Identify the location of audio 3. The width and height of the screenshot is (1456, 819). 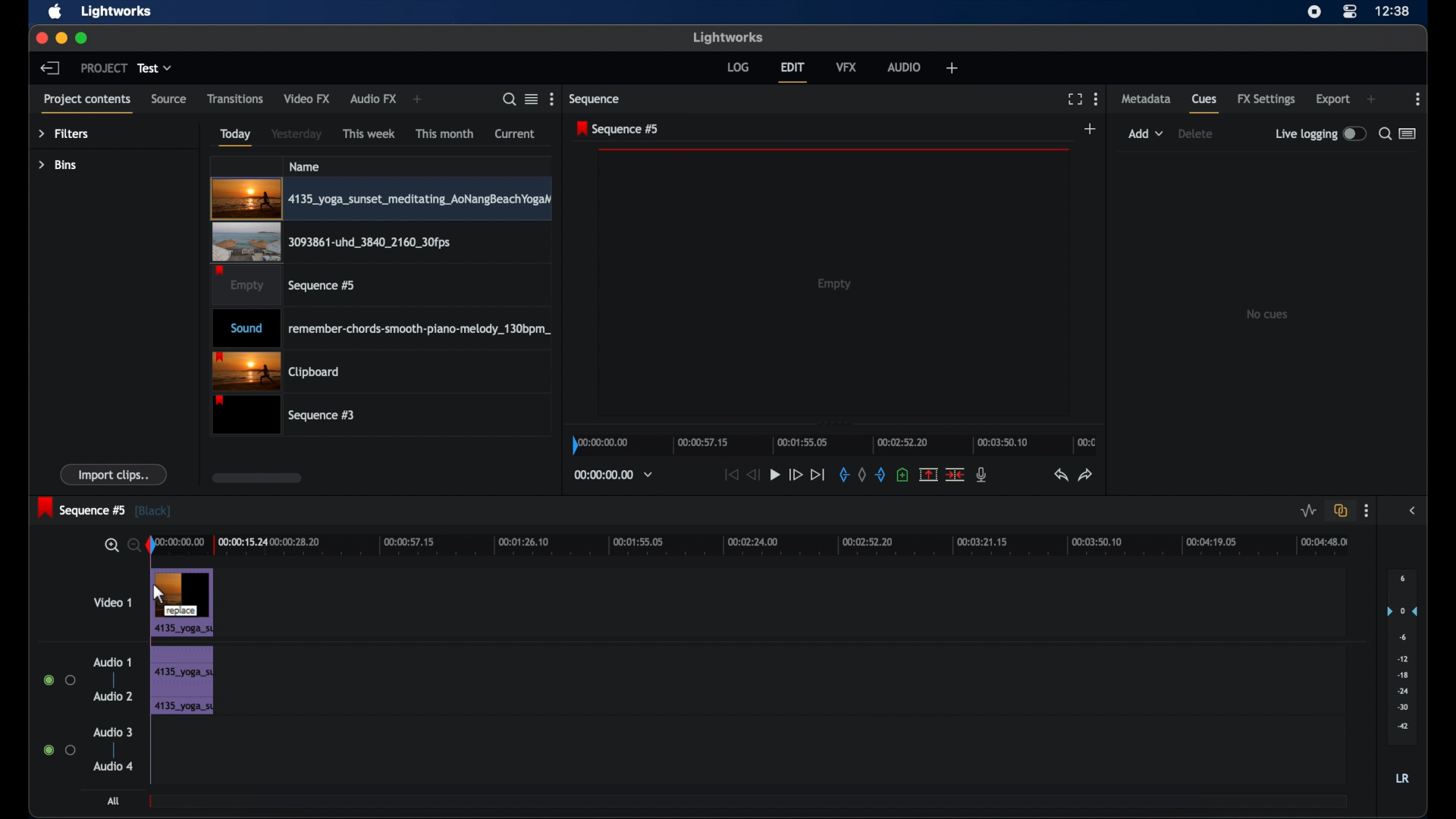
(111, 733).